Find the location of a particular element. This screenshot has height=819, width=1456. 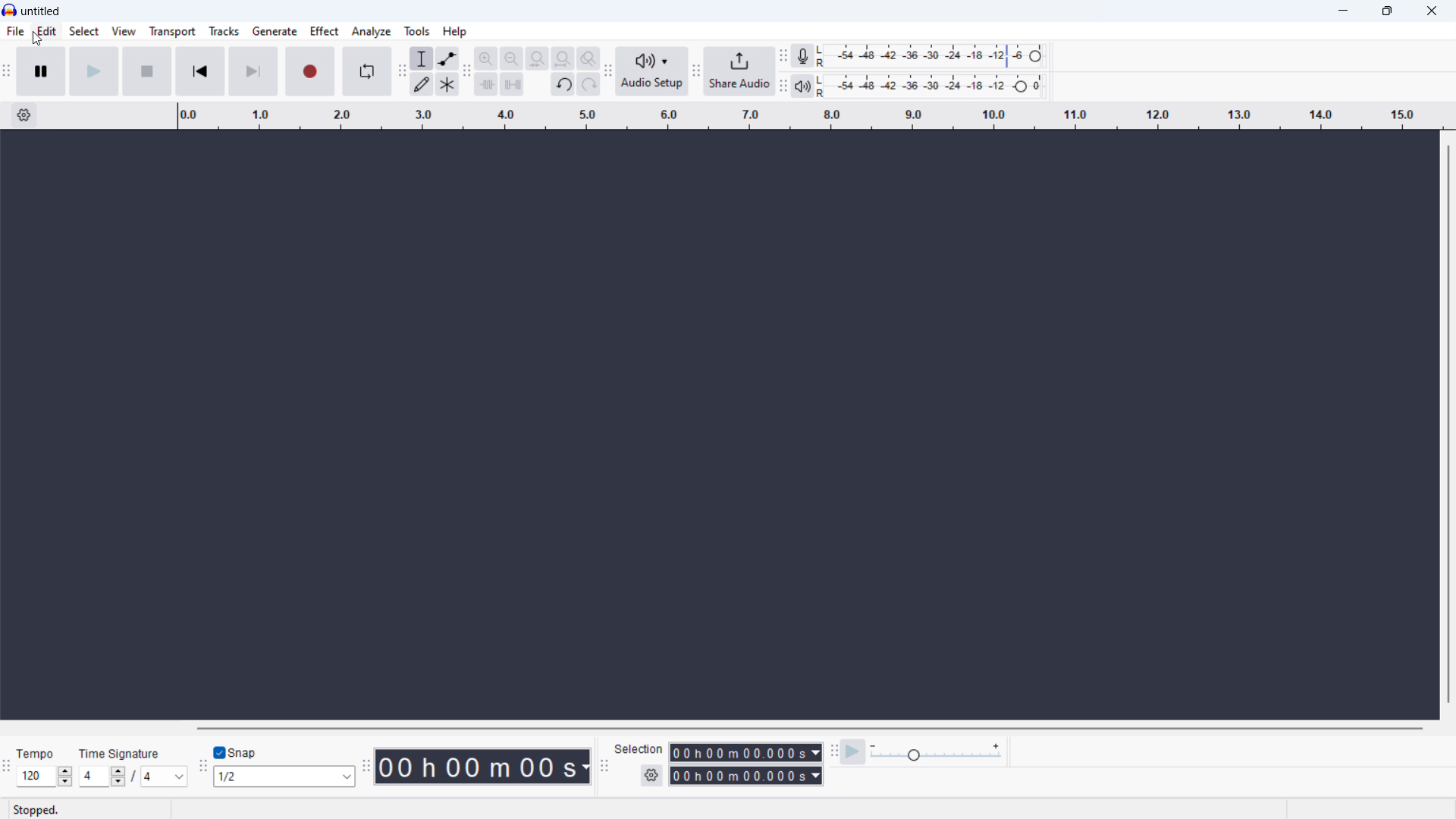

toggle zoom is located at coordinates (588, 58).